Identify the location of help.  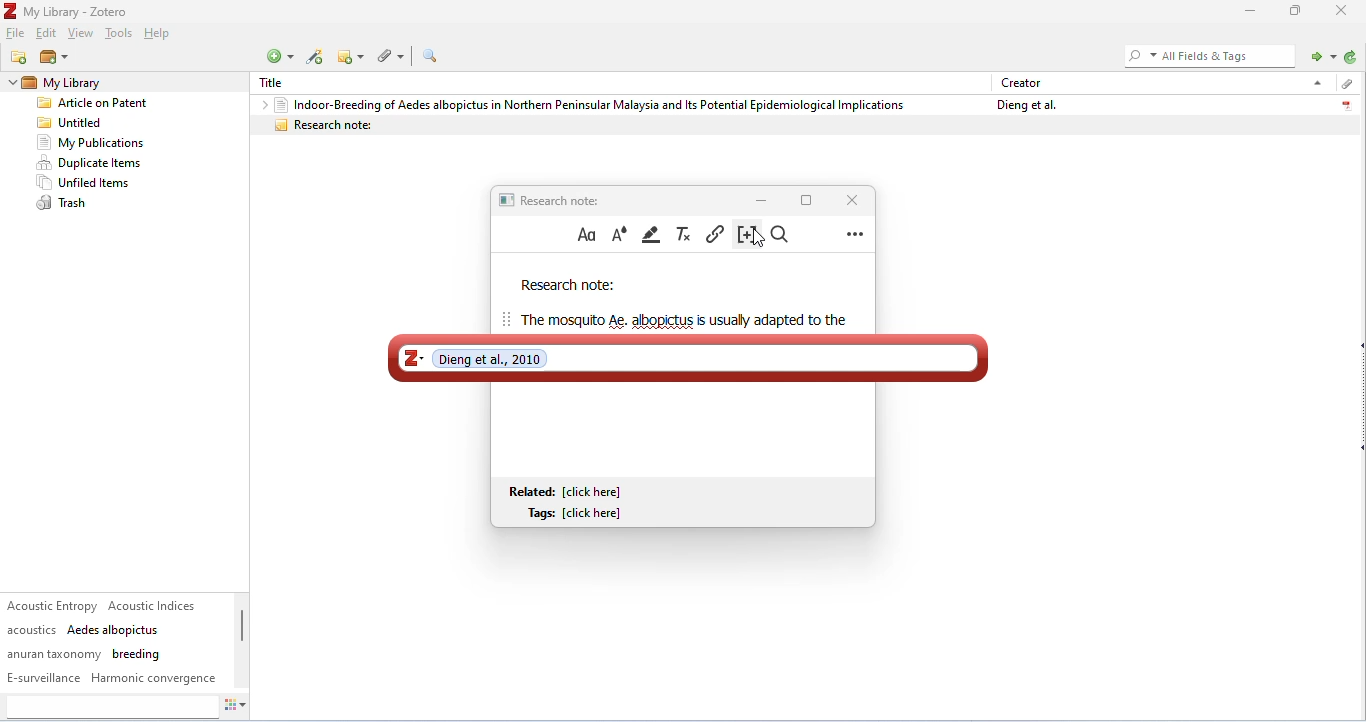
(160, 35).